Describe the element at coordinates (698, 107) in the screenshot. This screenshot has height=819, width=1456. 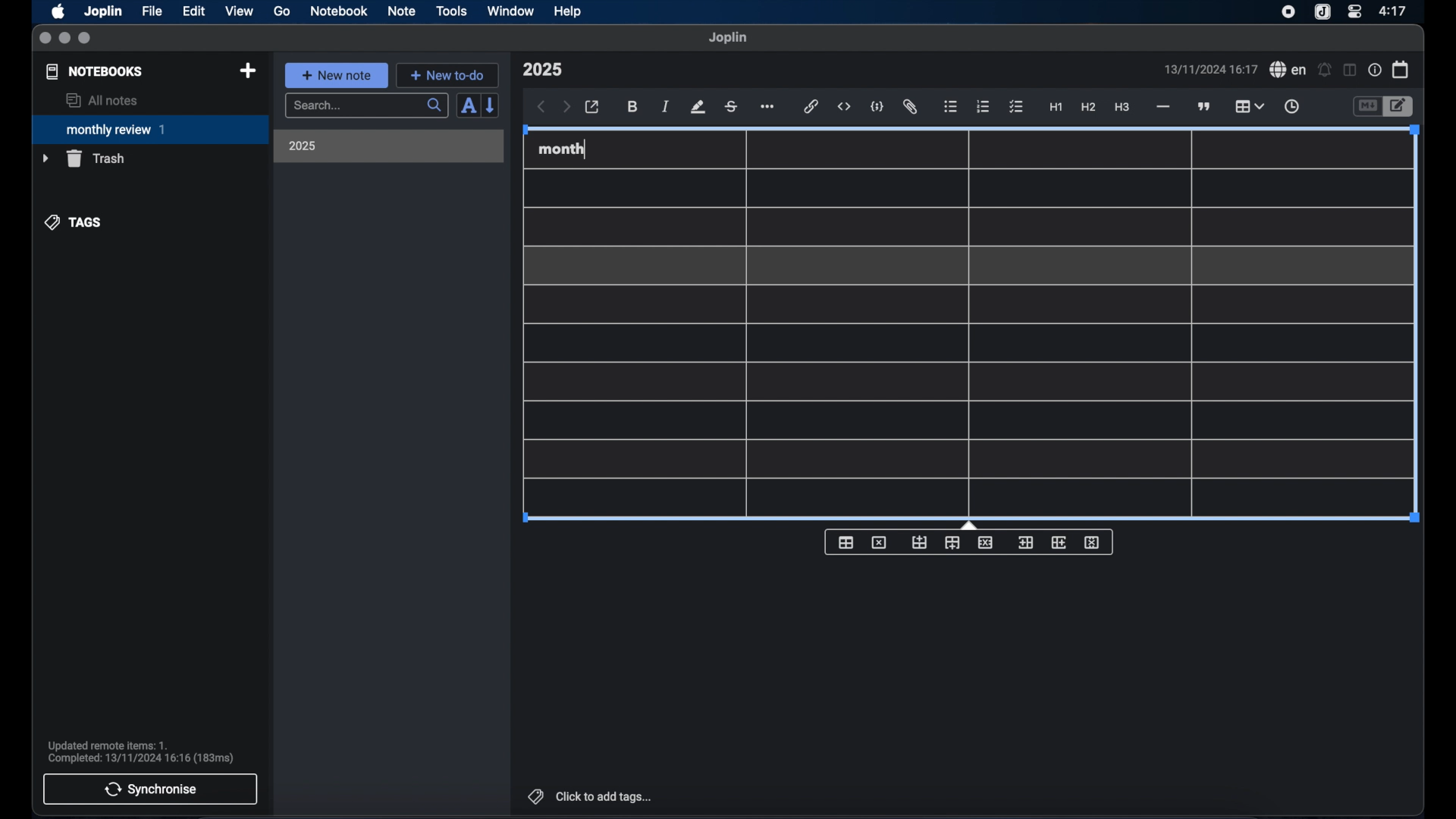
I see `highlight` at that location.